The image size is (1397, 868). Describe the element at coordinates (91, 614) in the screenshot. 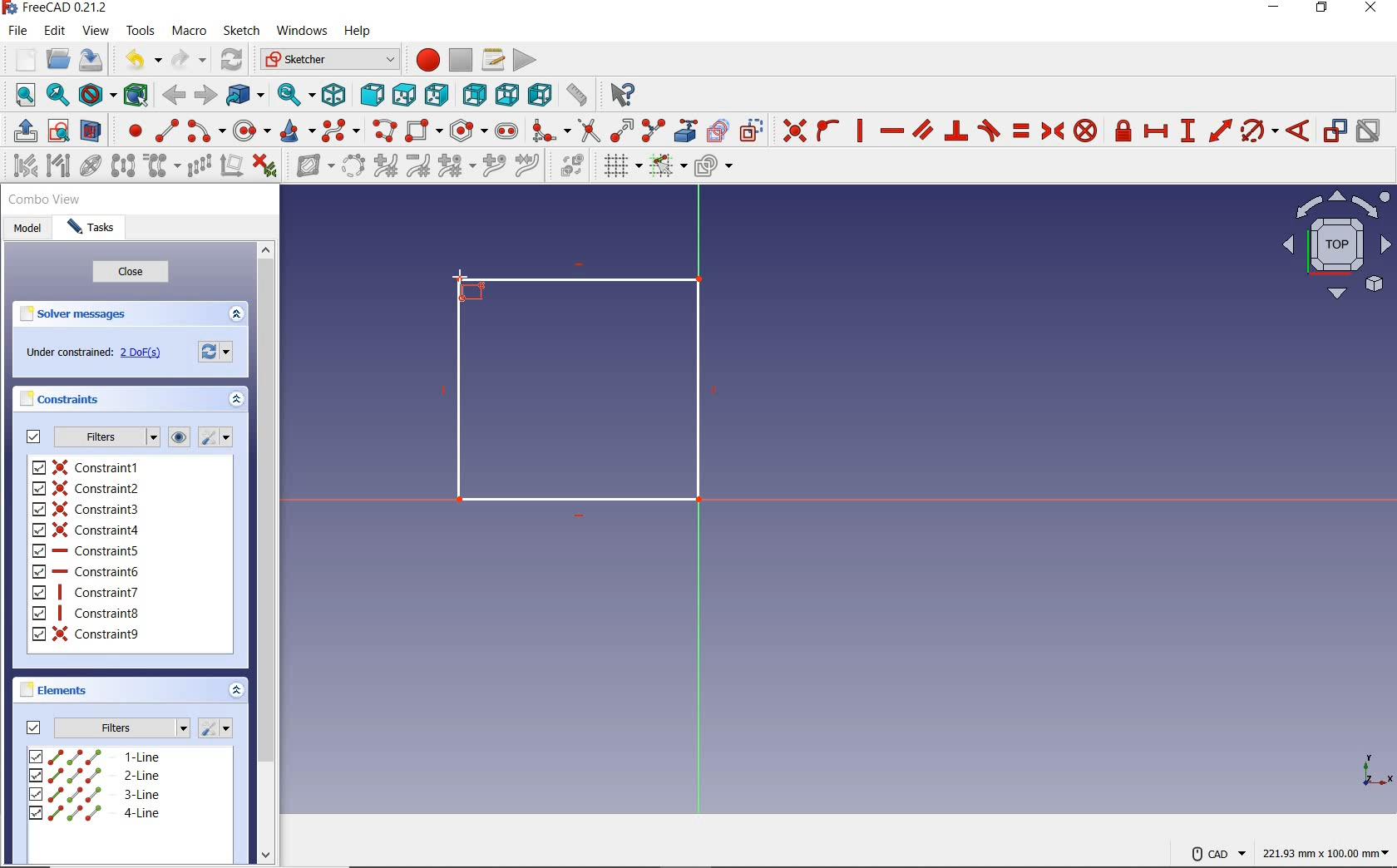

I see `constraint8` at that location.